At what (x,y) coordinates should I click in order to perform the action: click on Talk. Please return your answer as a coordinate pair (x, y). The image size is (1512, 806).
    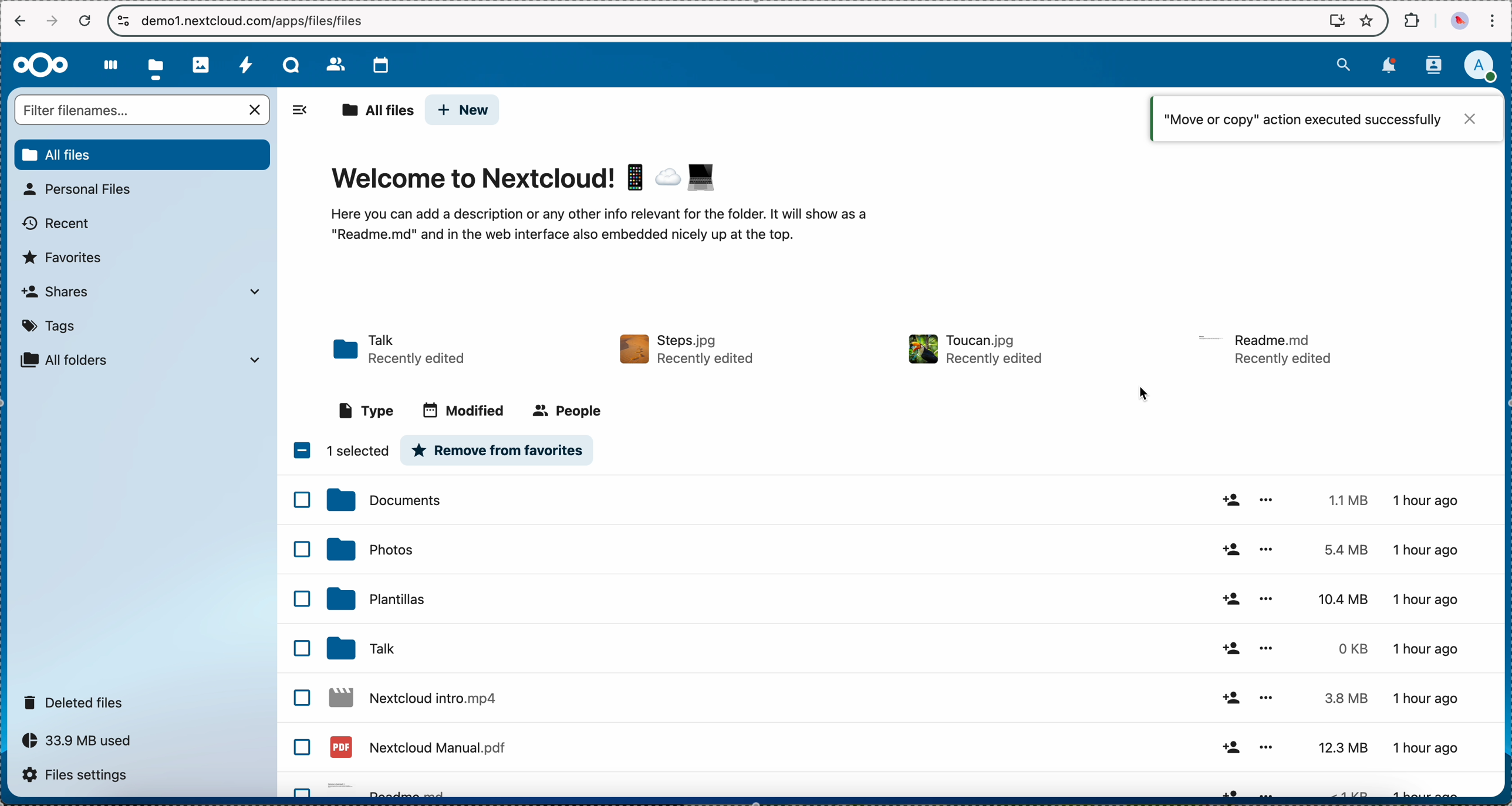
    Looking at the image, I should click on (400, 351).